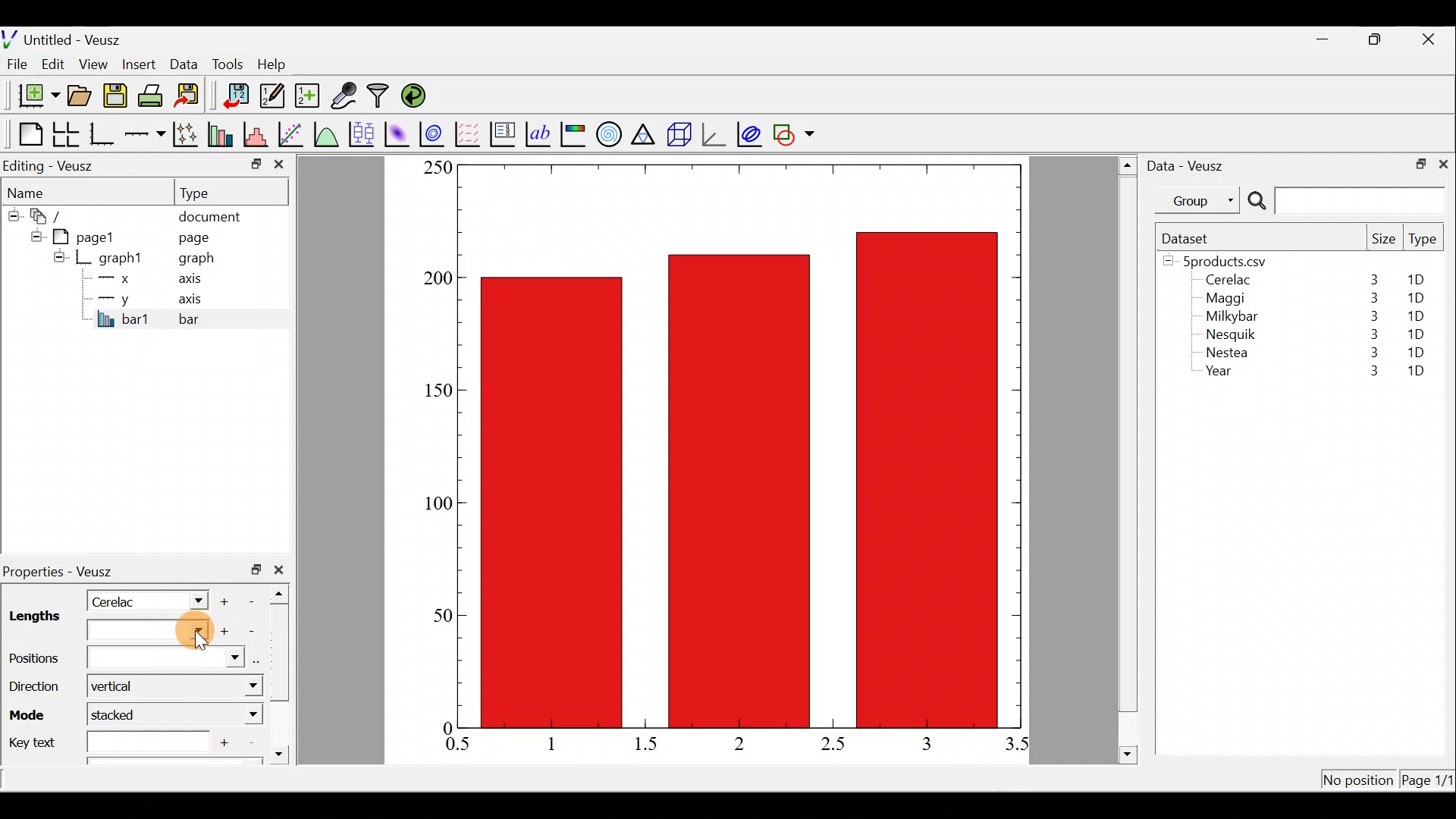 The height and width of the screenshot is (819, 1456). Describe the element at coordinates (67, 37) in the screenshot. I see `Untitled - Veusz` at that location.